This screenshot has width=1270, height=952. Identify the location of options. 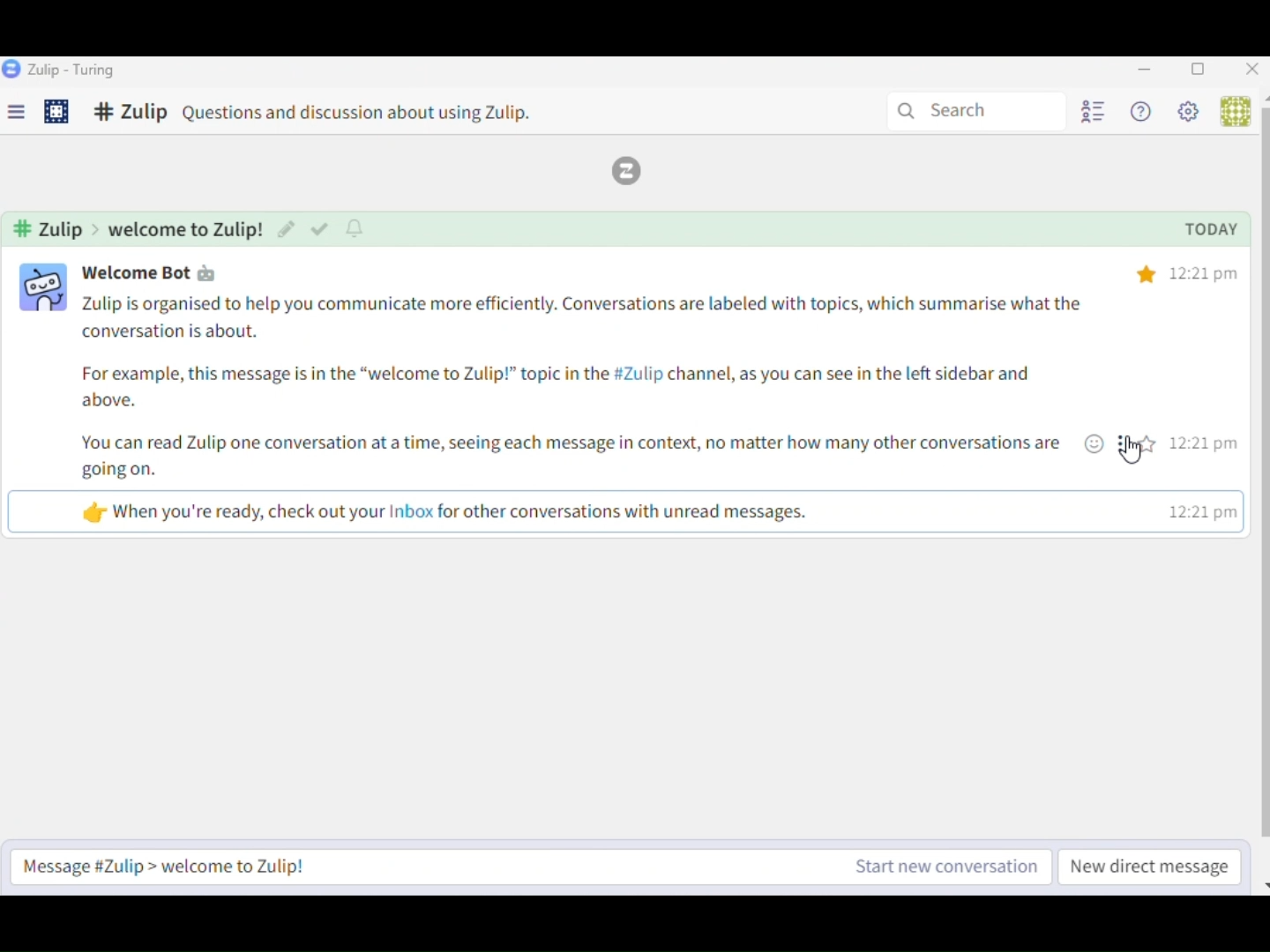
(1123, 443).